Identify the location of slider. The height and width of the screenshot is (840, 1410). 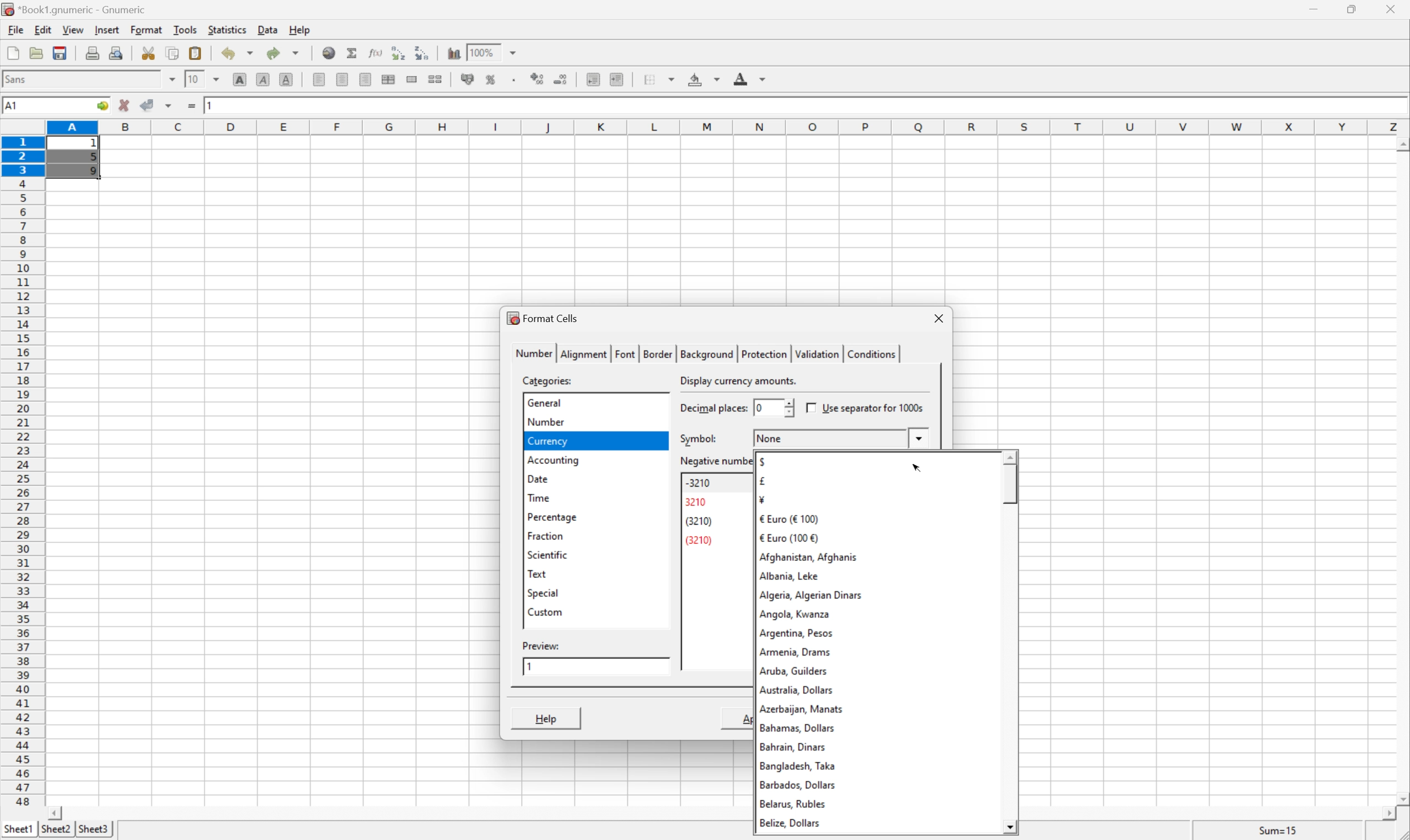
(787, 407).